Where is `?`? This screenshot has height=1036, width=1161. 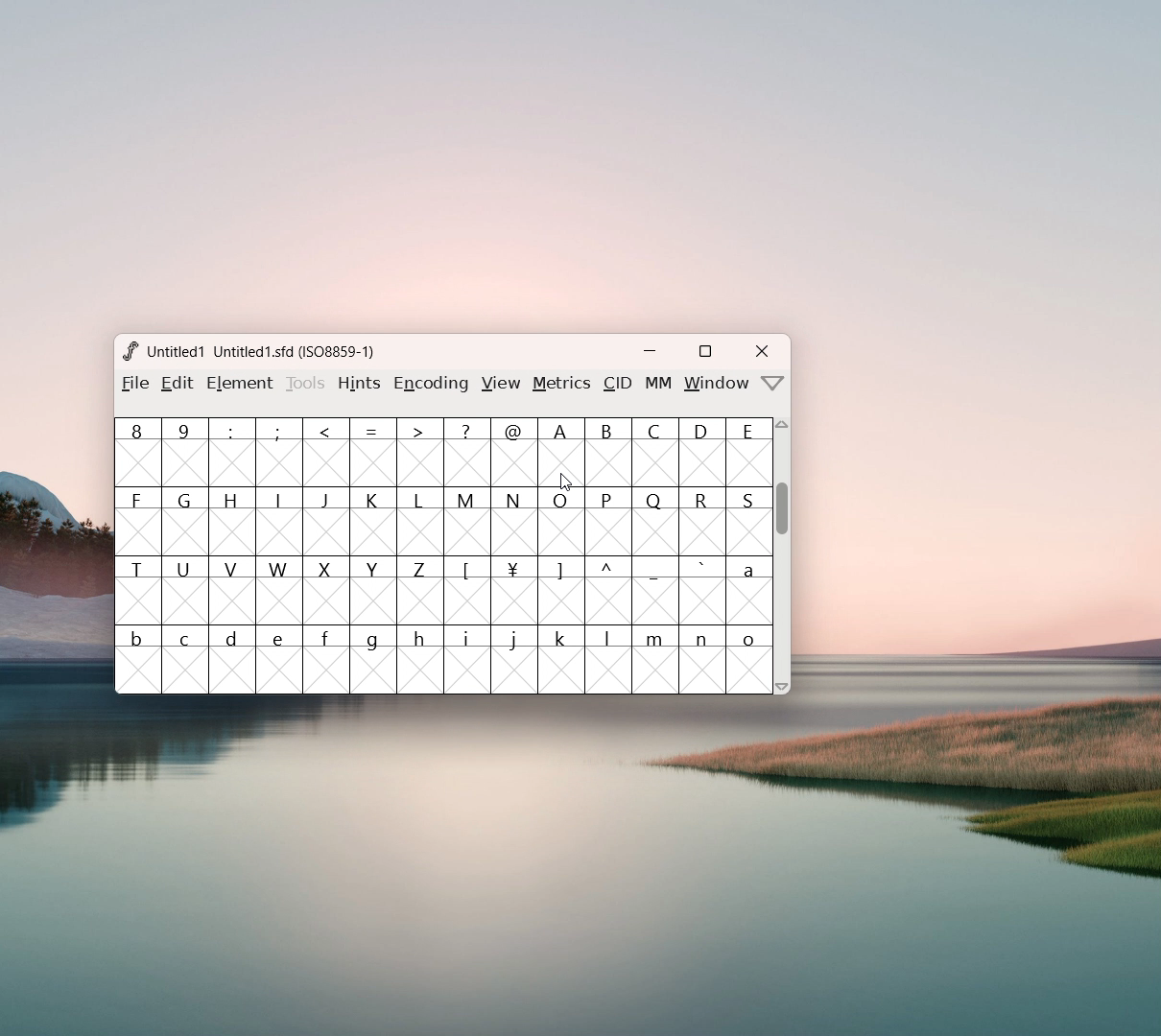 ? is located at coordinates (467, 452).